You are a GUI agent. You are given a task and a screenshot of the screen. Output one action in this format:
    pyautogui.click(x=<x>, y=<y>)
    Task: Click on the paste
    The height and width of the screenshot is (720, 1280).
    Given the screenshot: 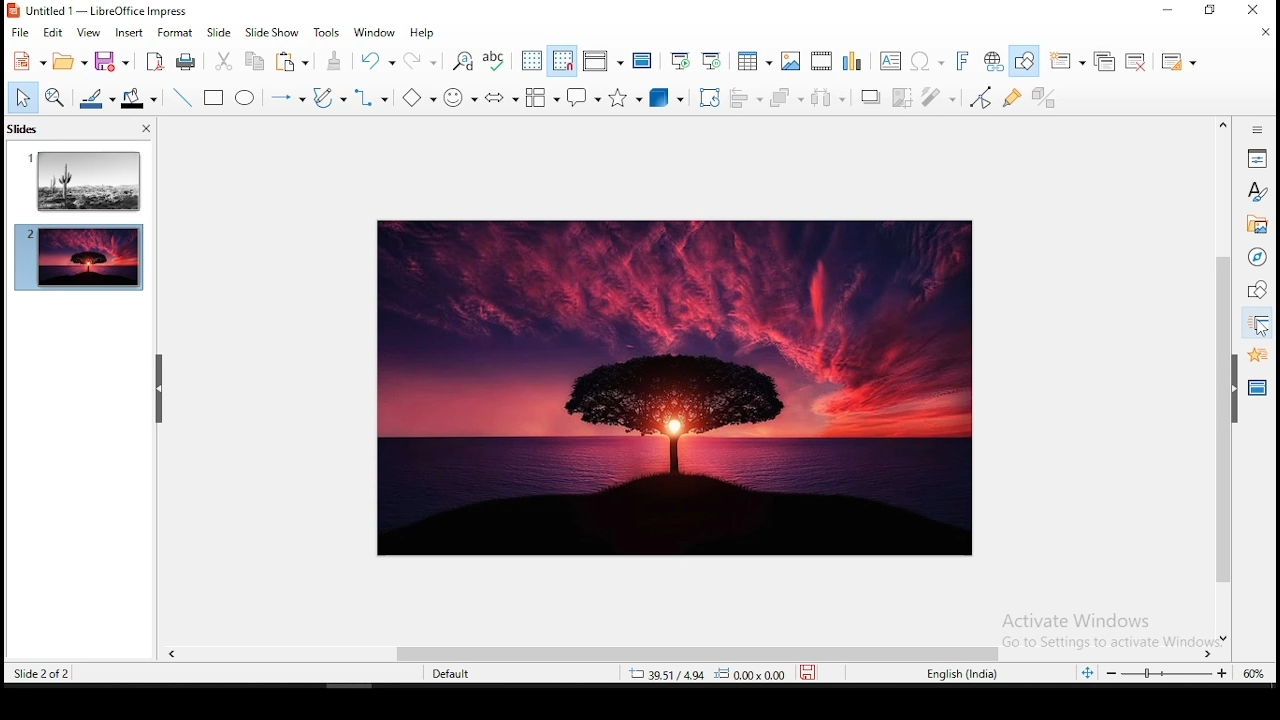 What is the action you would take?
    pyautogui.click(x=296, y=61)
    